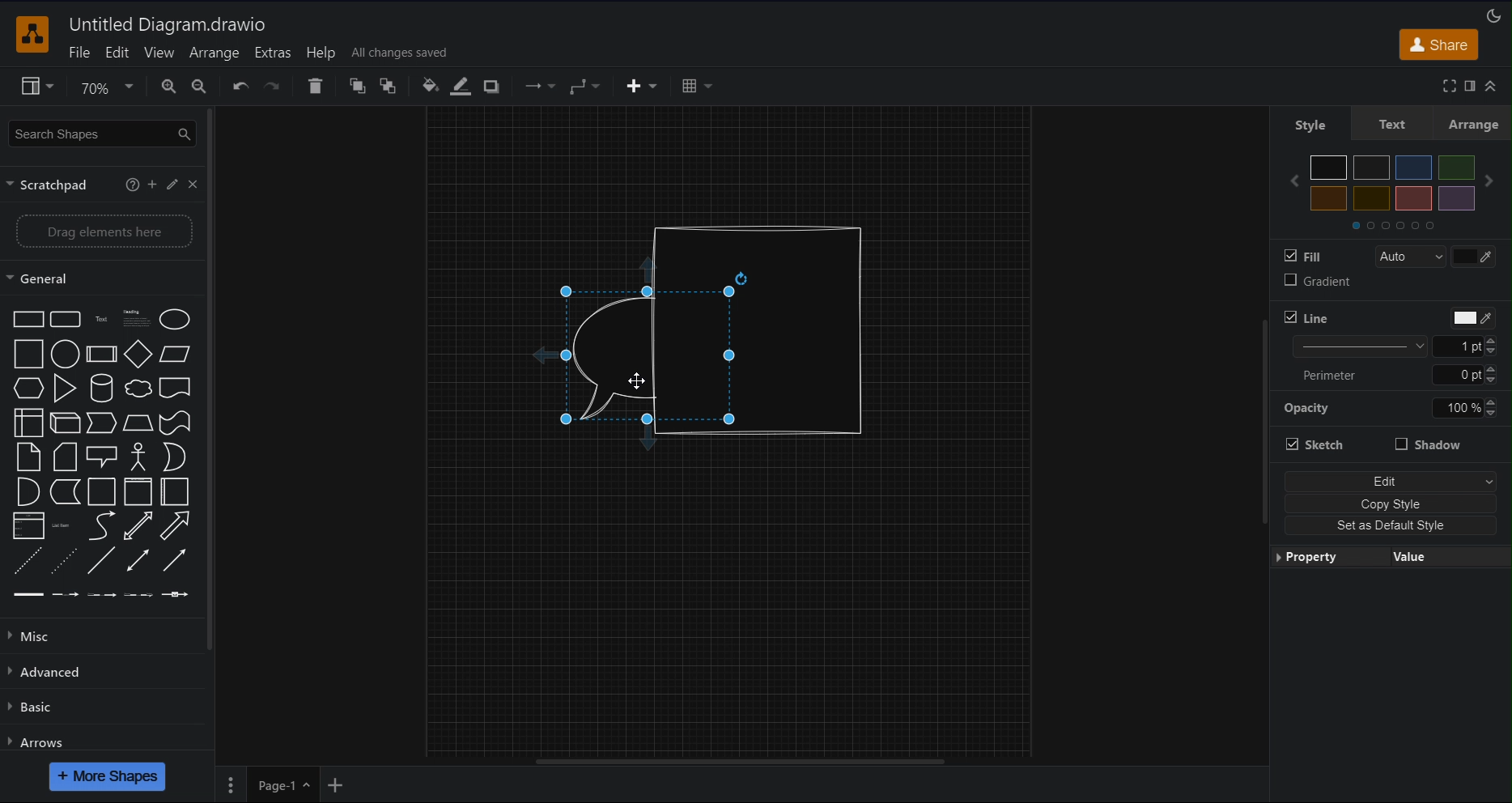 This screenshot has width=1512, height=803. Describe the element at coordinates (166, 87) in the screenshot. I see `Zoom In` at that location.